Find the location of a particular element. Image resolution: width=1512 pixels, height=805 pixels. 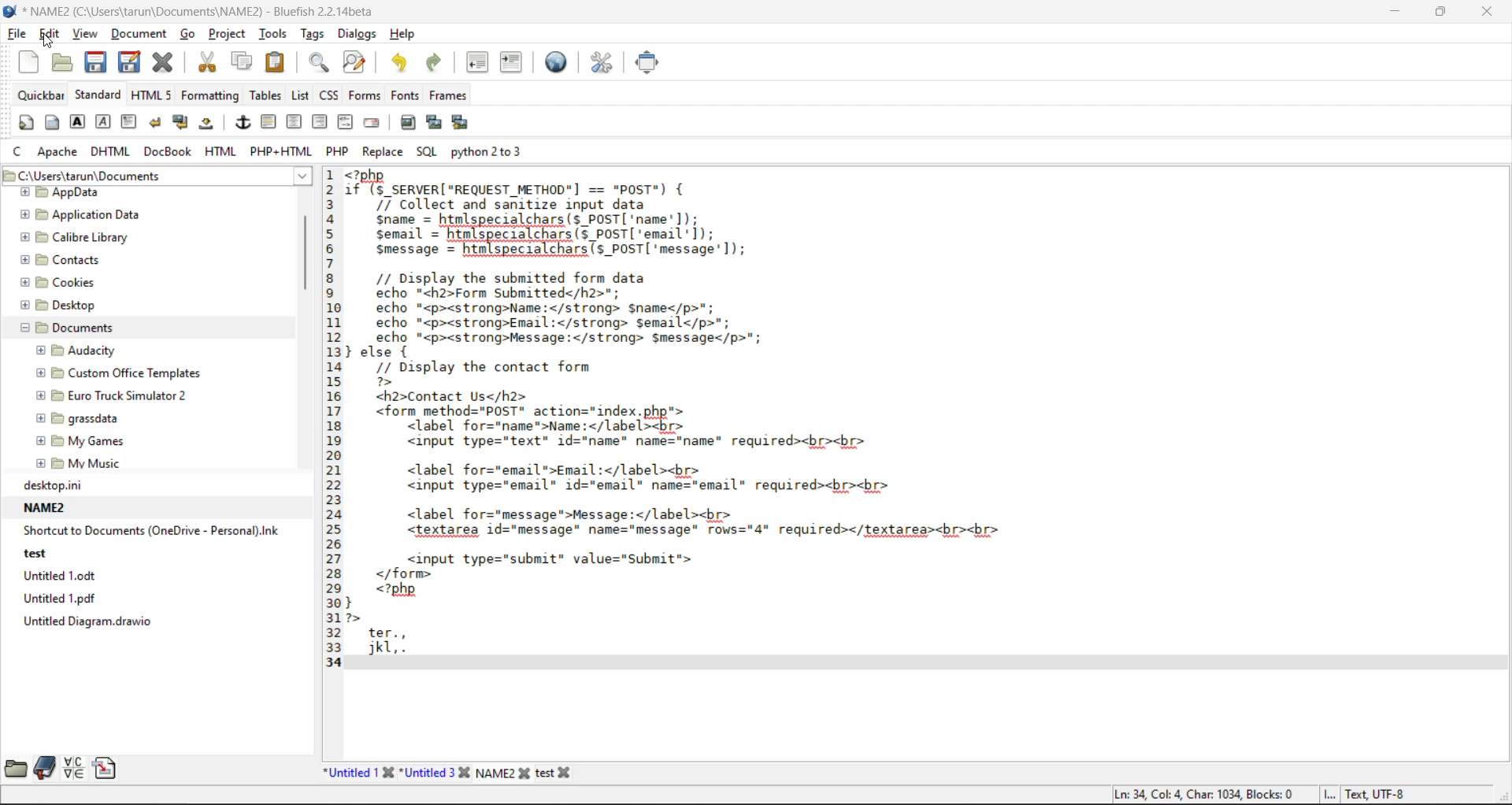

minimize is located at coordinates (1397, 12).